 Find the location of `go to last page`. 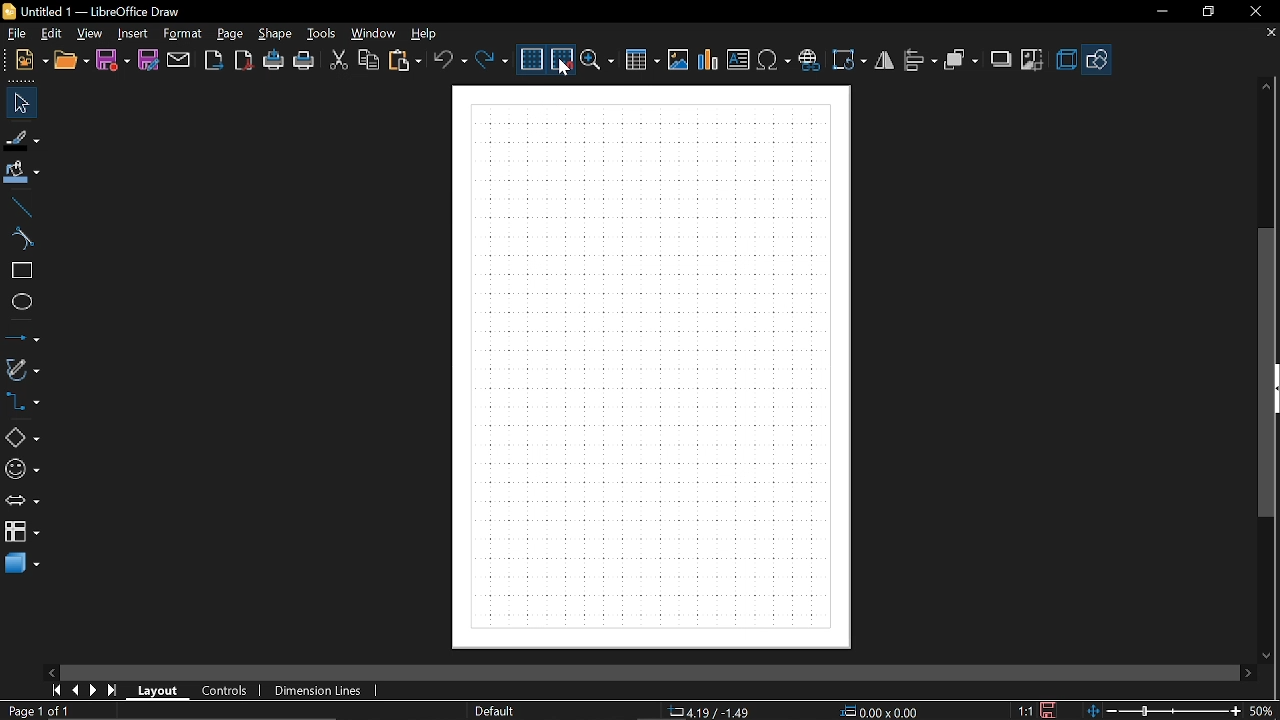

go to last page is located at coordinates (115, 690).